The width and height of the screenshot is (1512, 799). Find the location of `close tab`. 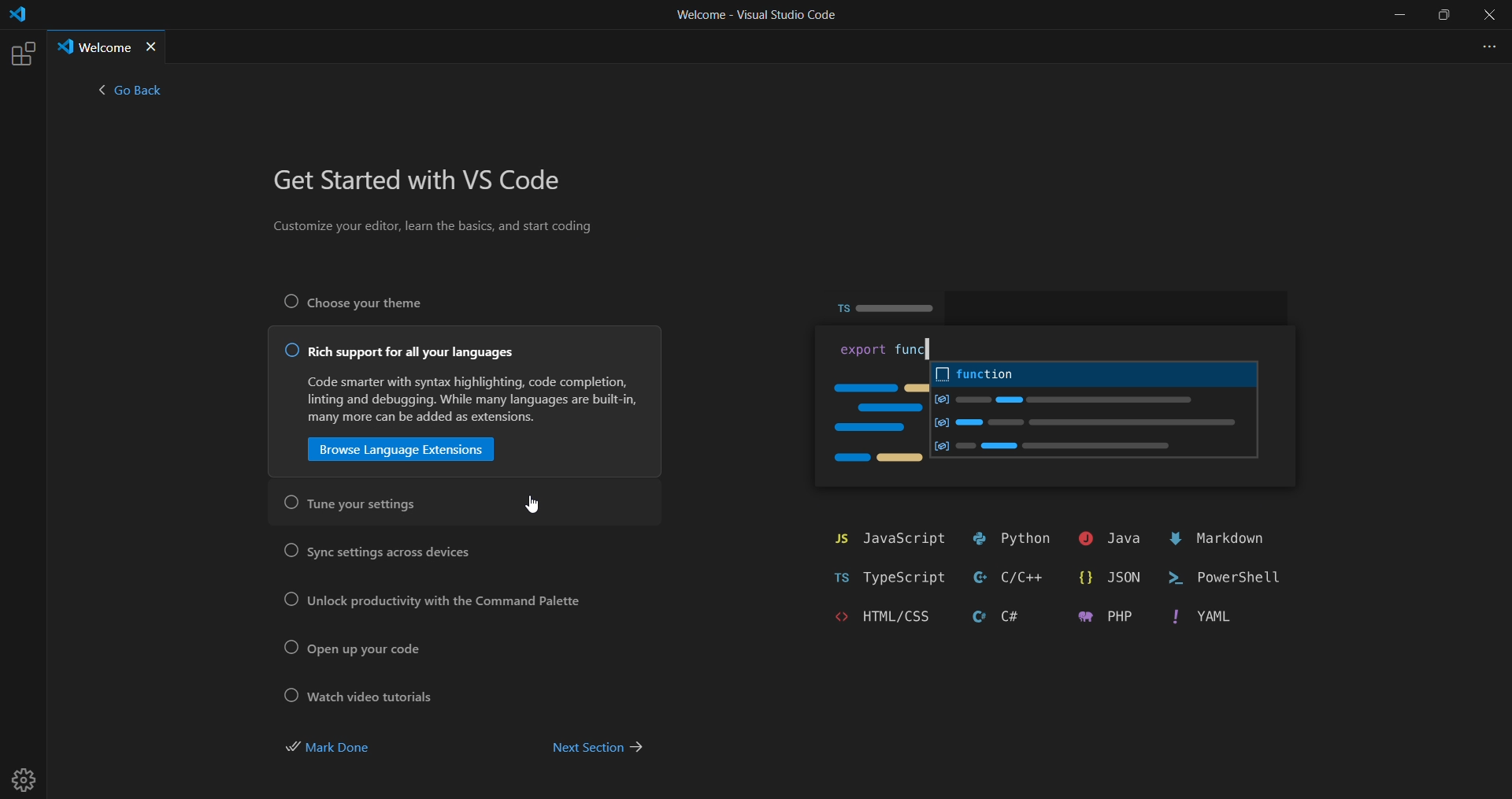

close tab is located at coordinates (153, 47).